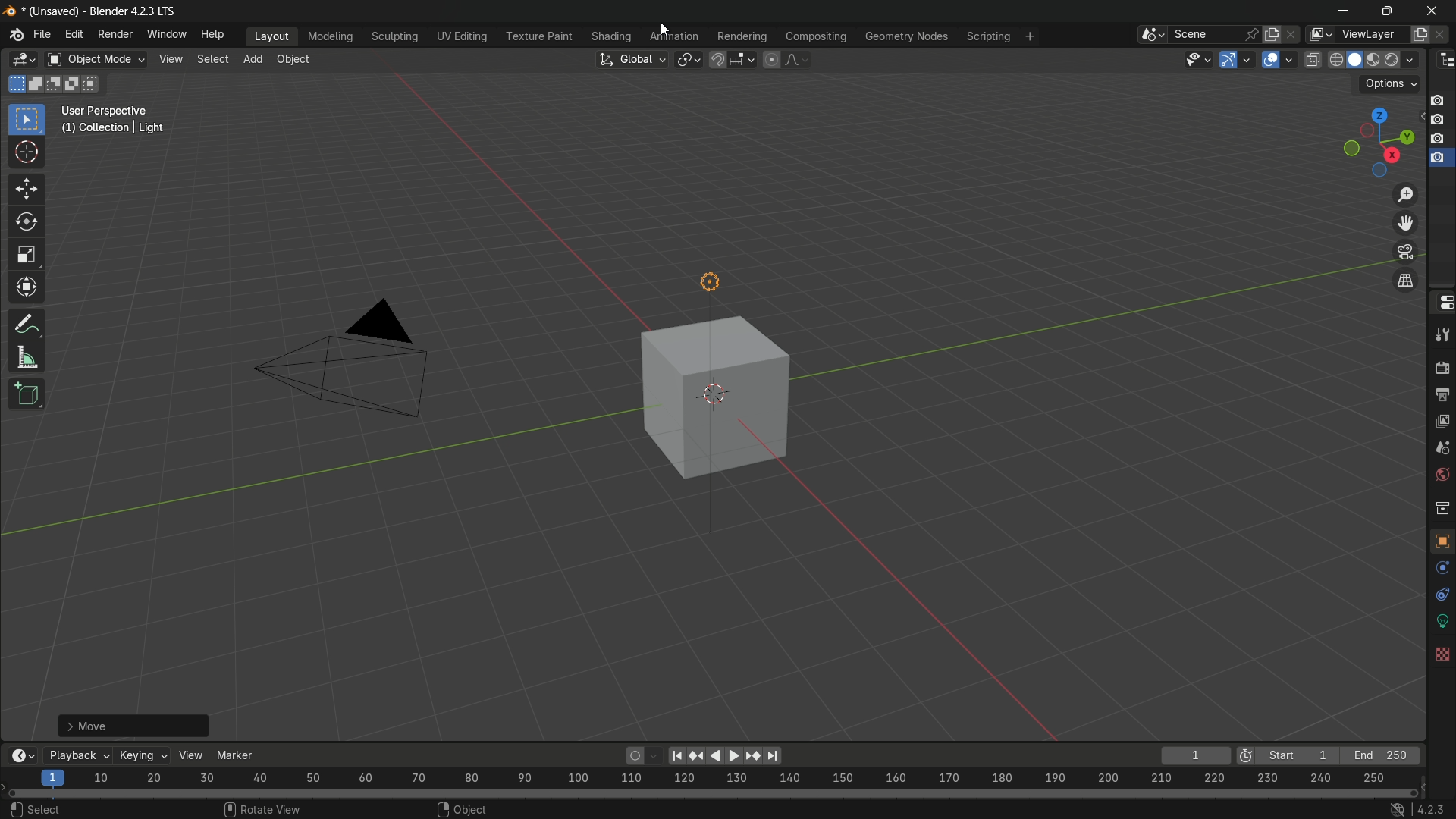 This screenshot has height=819, width=1456. What do you see at coordinates (1439, 123) in the screenshot?
I see `capture` at bounding box center [1439, 123].